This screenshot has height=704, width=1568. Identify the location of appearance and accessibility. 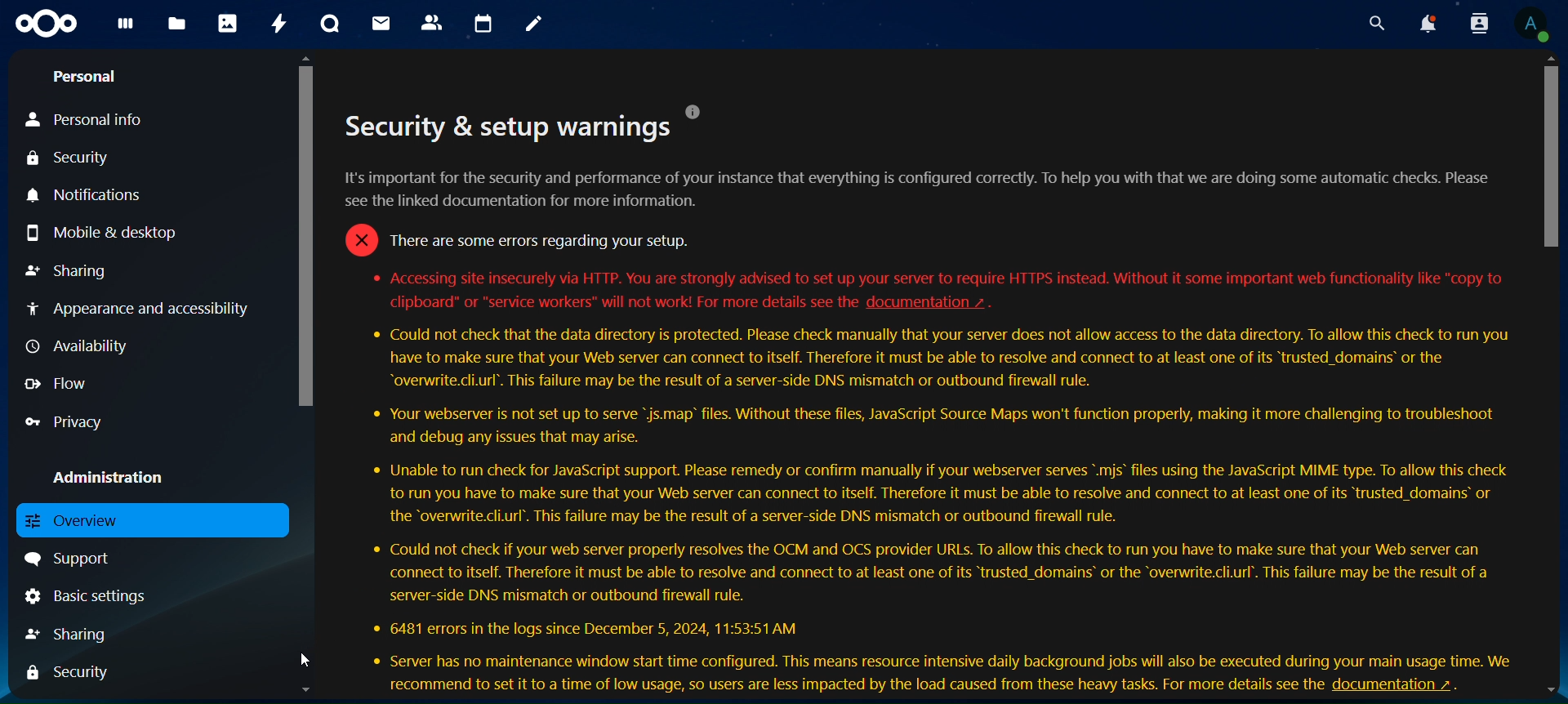
(138, 307).